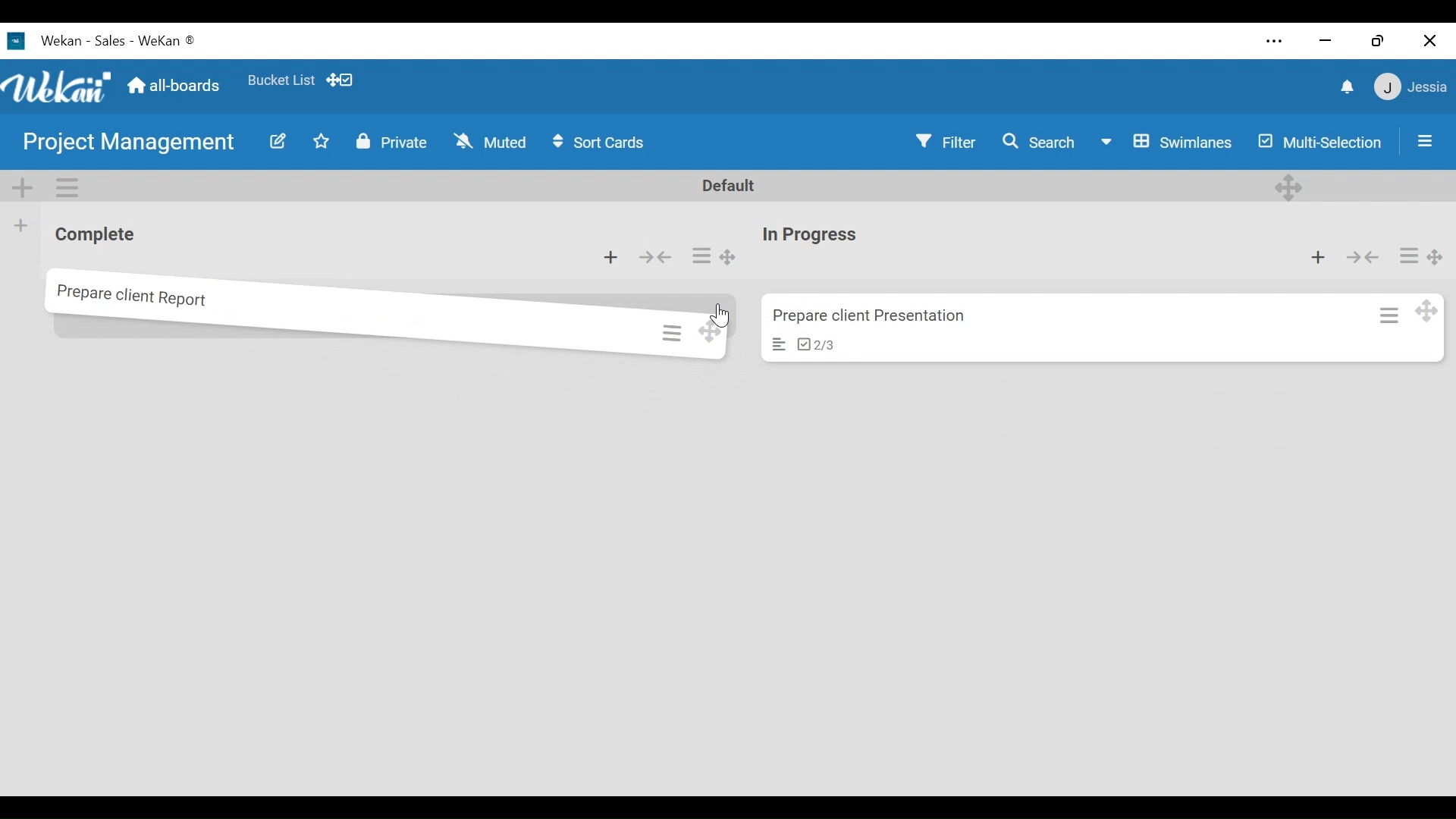  What do you see at coordinates (811, 236) in the screenshot?
I see `List name` at bounding box center [811, 236].